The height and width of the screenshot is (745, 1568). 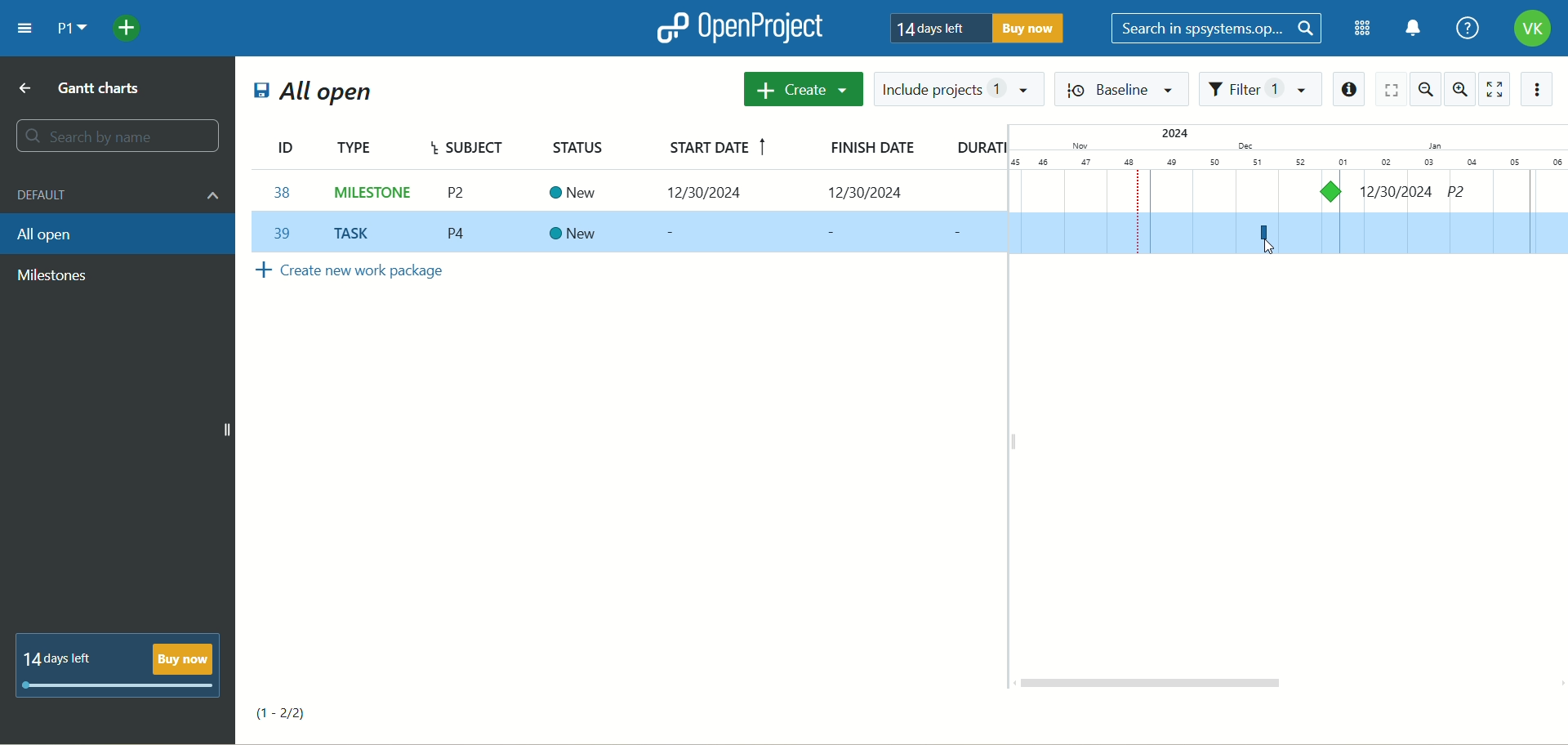 What do you see at coordinates (1170, 134) in the screenshot?
I see `2024` at bounding box center [1170, 134].